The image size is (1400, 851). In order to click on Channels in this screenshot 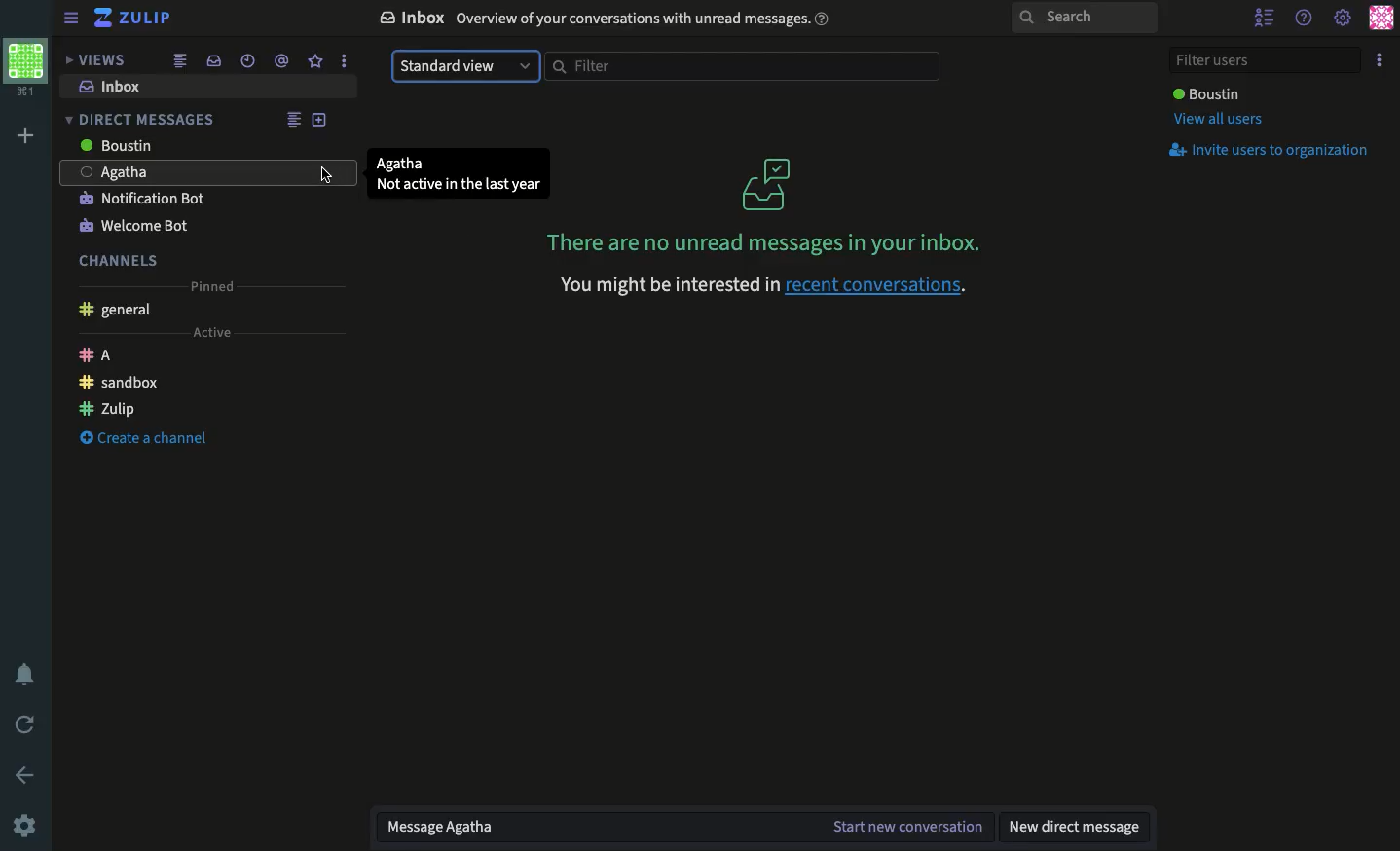, I will do `click(126, 261)`.